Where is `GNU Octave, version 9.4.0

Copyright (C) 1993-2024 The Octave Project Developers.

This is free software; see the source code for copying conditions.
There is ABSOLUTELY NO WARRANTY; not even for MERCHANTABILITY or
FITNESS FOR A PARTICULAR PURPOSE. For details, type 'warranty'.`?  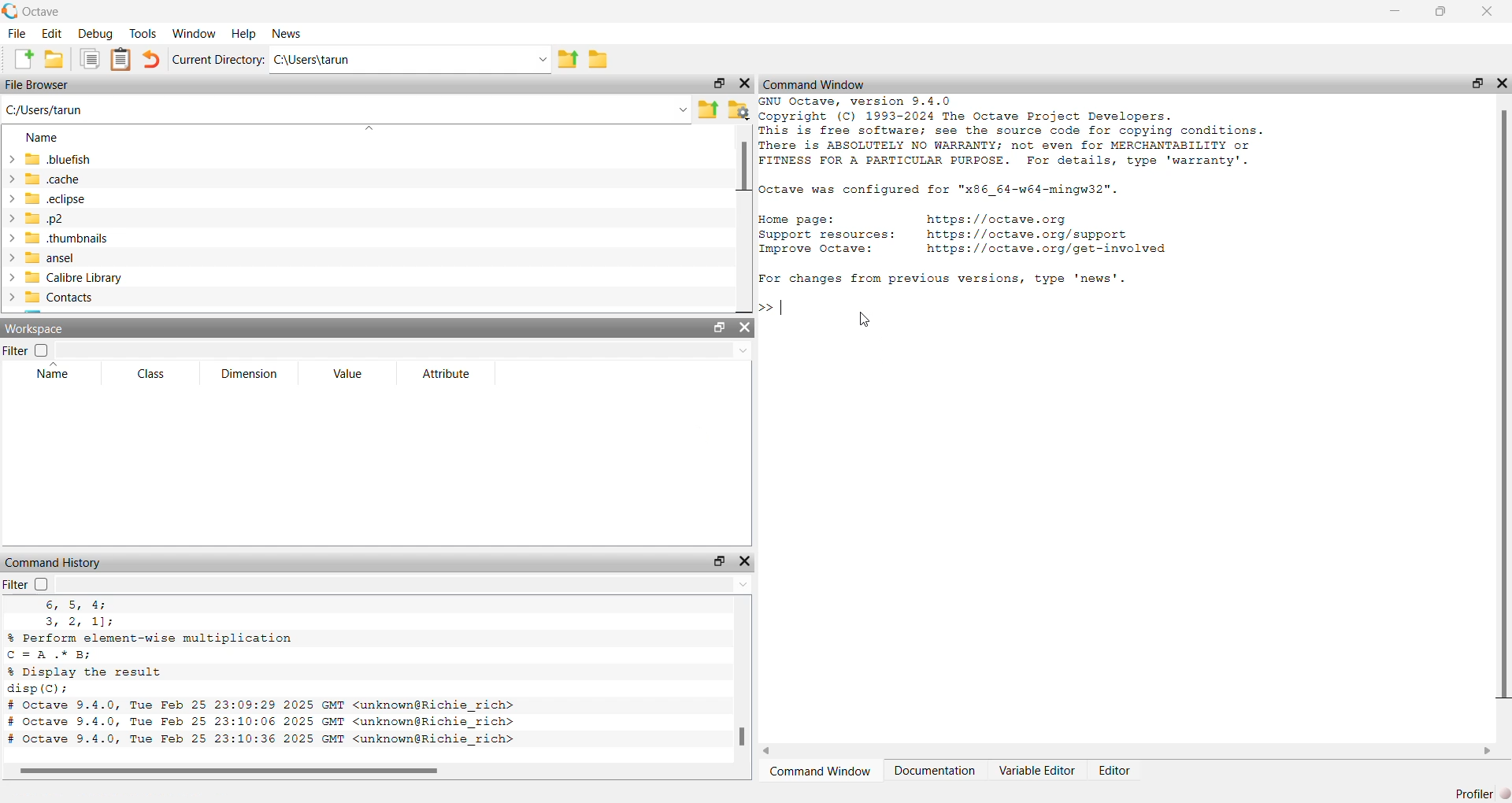
GNU Octave, version 9.4.0

Copyright (C) 1993-2024 The Octave Project Developers.

This is free software; see the source code for copying conditions.
There is ABSOLUTELY NO WARRANTY; not even for MERCHANTABILITY or
FITNESS FOR A PARTICULAR PURPOSE. For details, type 'warranty'. is located at coordinates (1015, 132).